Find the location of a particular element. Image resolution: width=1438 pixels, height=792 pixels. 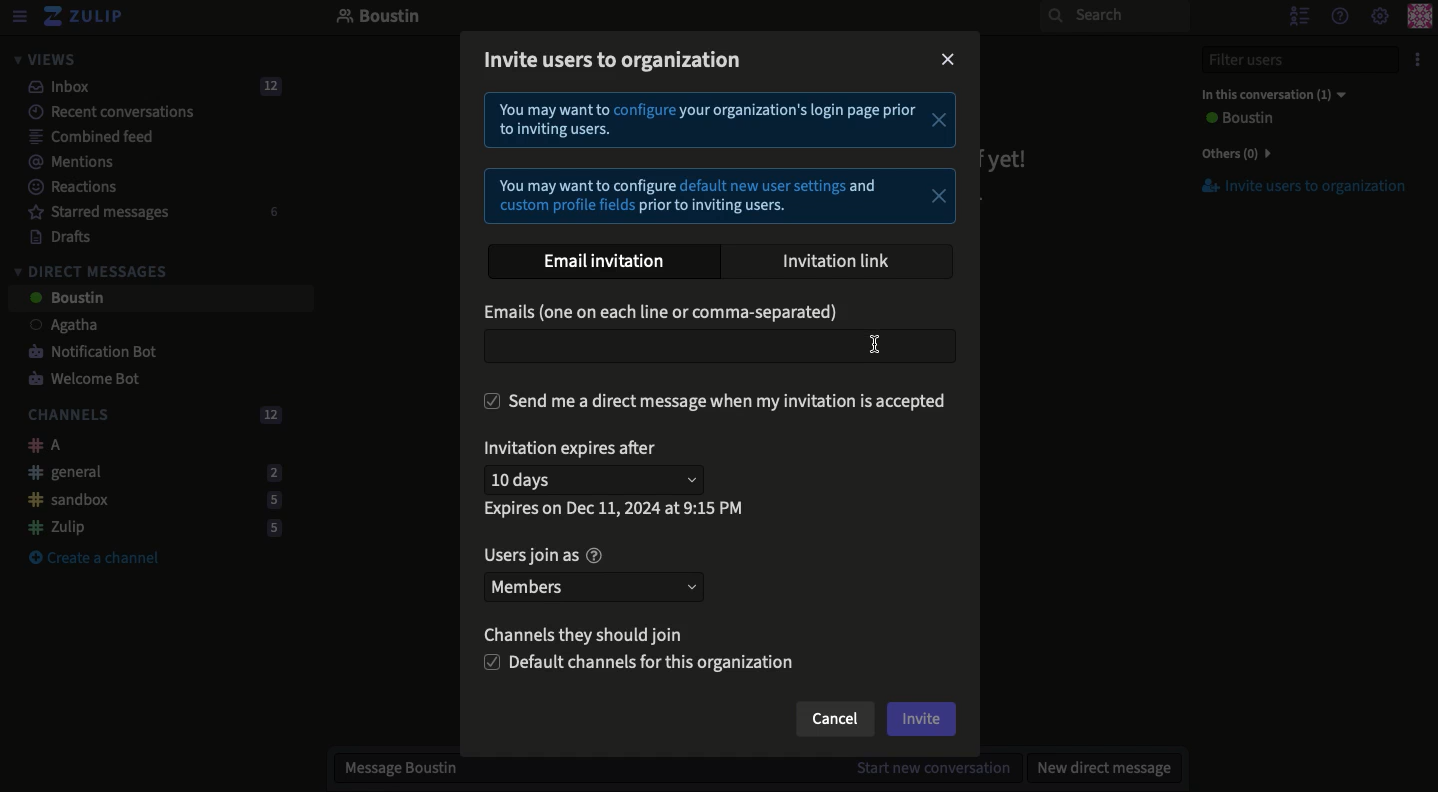

A is located at coordinates (39, 445).